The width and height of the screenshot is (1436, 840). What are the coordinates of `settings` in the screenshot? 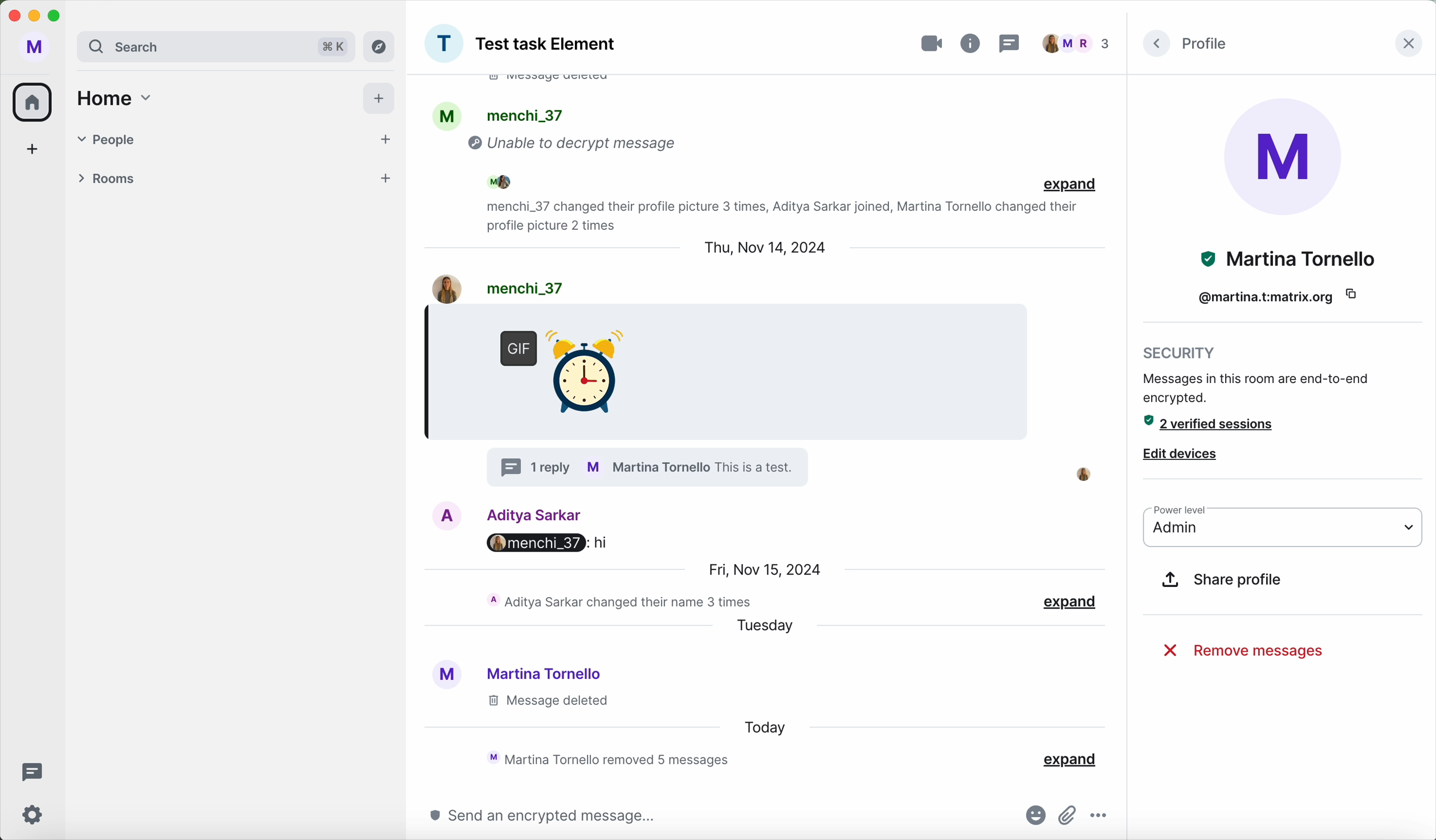 It's located at (35, 814).